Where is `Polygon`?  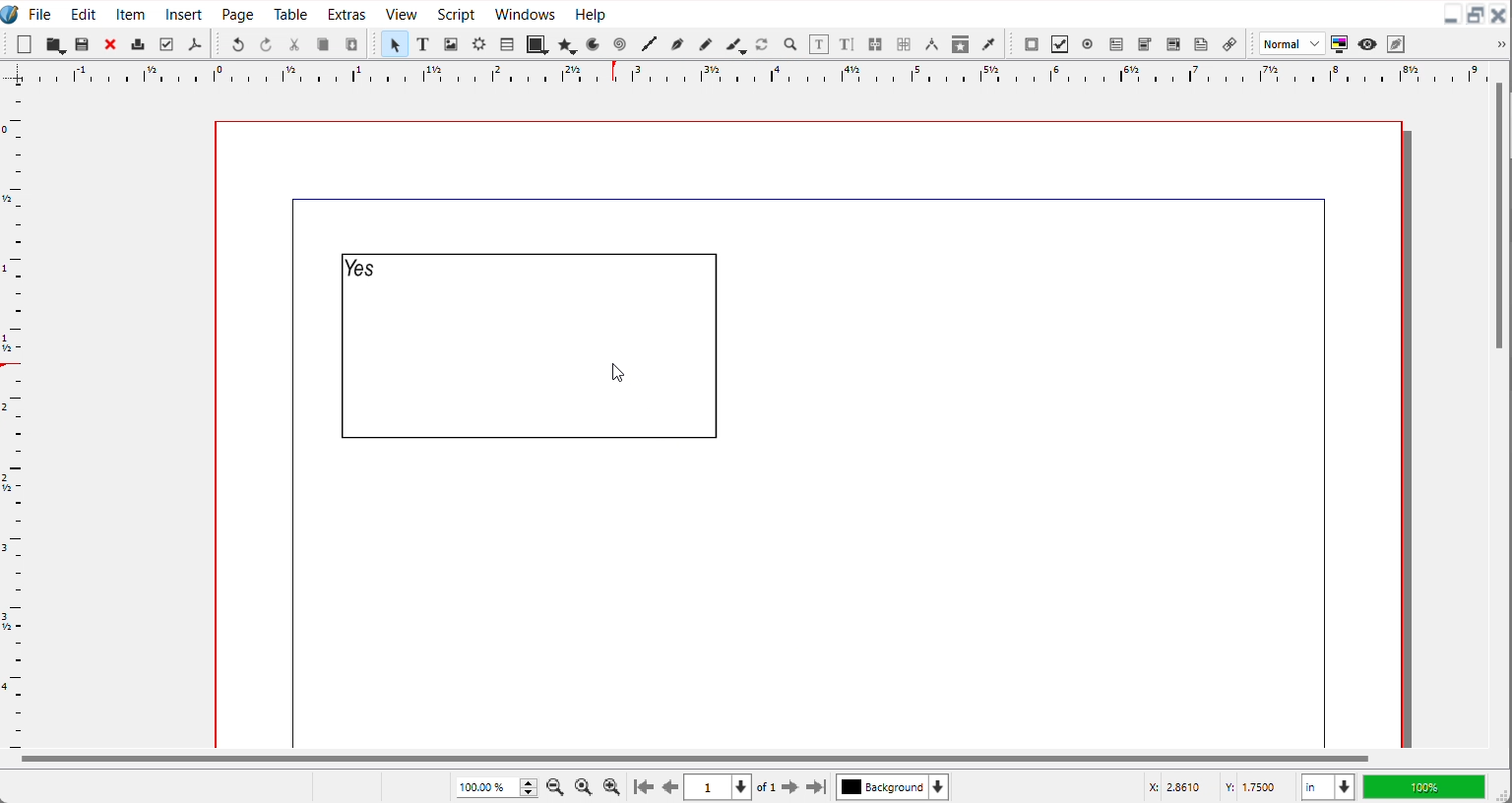
Polygon is located at coordinates (568, 44).